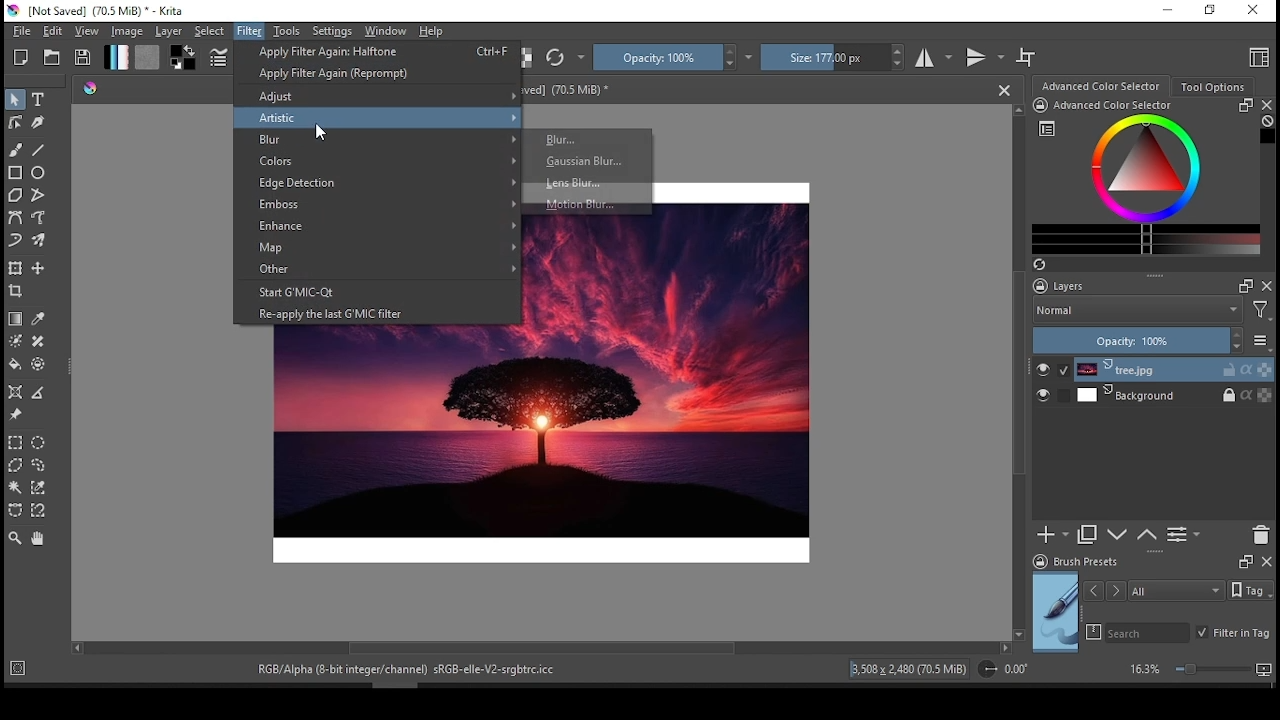 This screenshot has width=1280, height=720. I want to click on paint brush tool, so click(16, 149).